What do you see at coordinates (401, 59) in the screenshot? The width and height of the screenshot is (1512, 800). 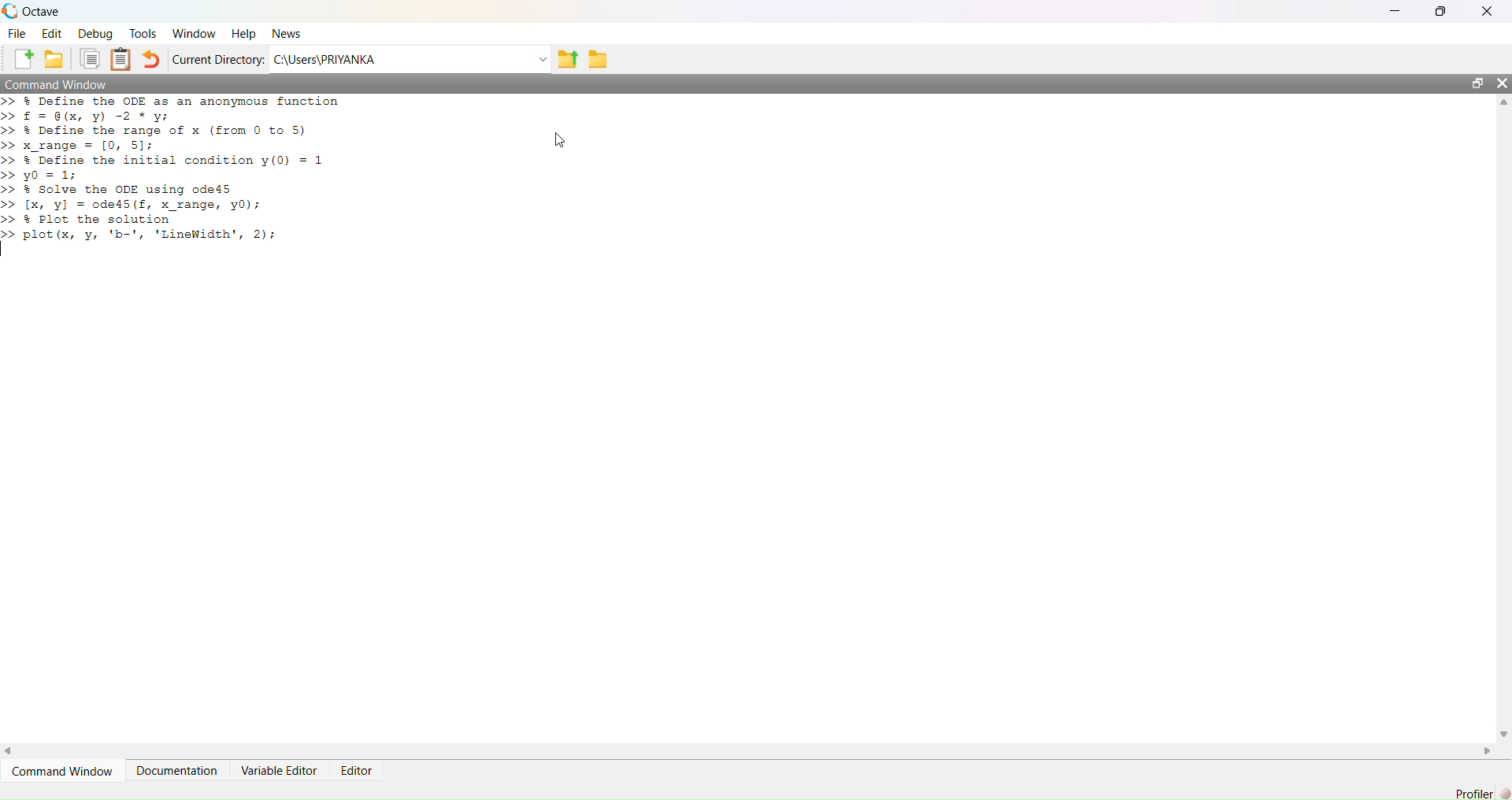 I see `C:\Users\PRIYANKA` at bounding box center [401, 59].